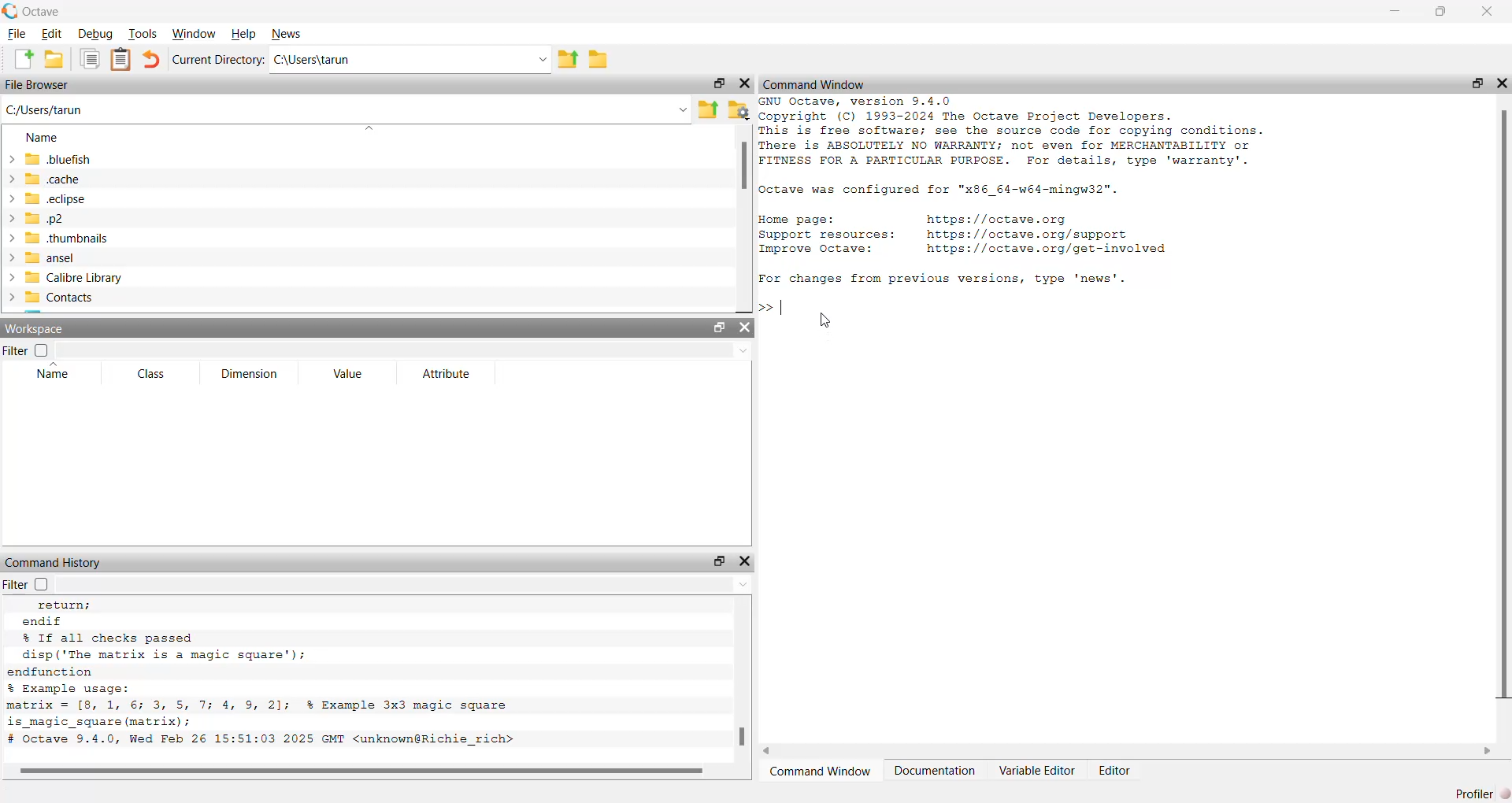 This screenshot has height=803, width=1512. What do you see at coordinates (218, 60) in the screenshot?
I see `Current Directory:` at bounding box center [218, 60].